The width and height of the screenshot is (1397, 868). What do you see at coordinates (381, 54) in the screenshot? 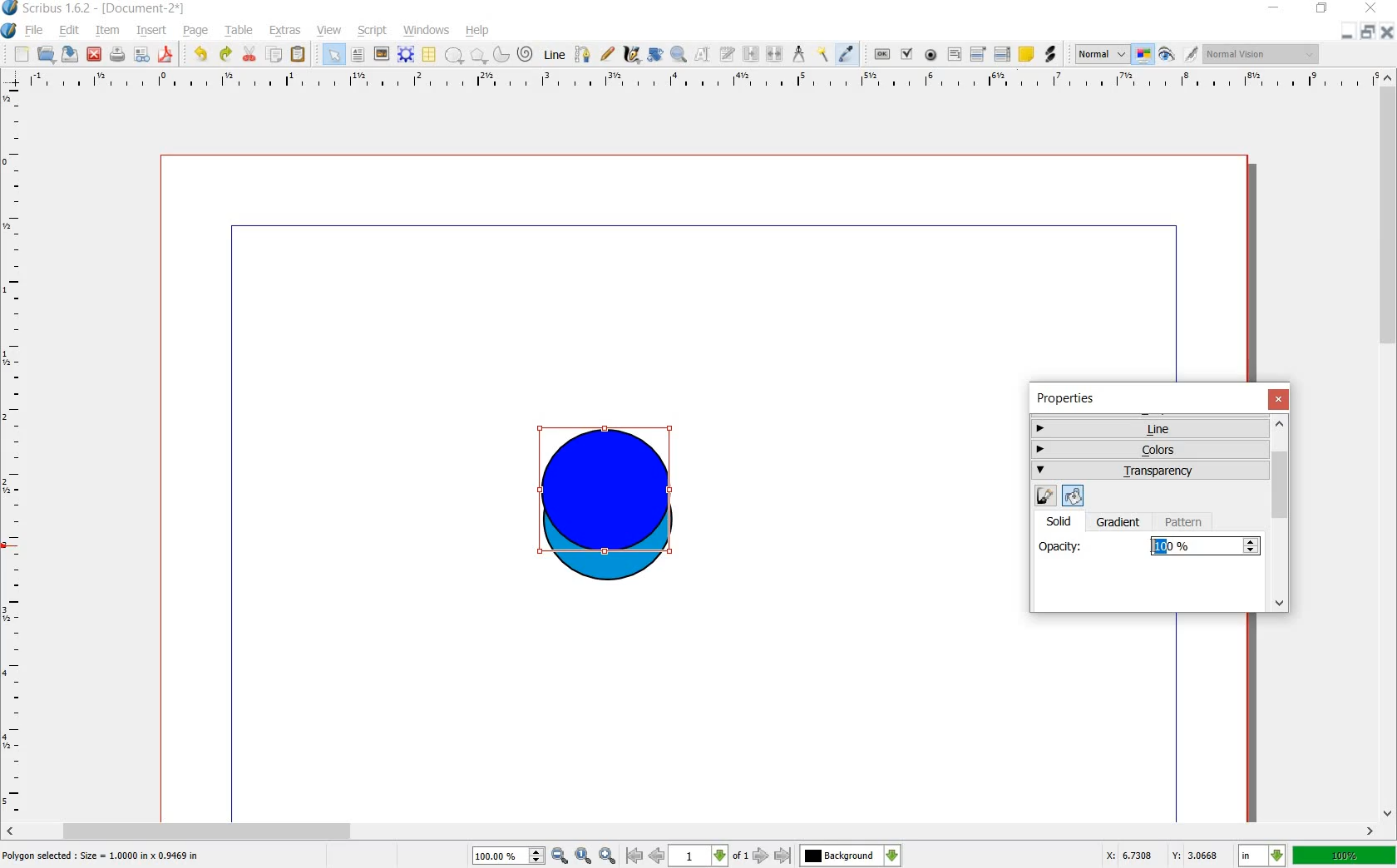
I see `image frame` at bounding box center [381, 54].